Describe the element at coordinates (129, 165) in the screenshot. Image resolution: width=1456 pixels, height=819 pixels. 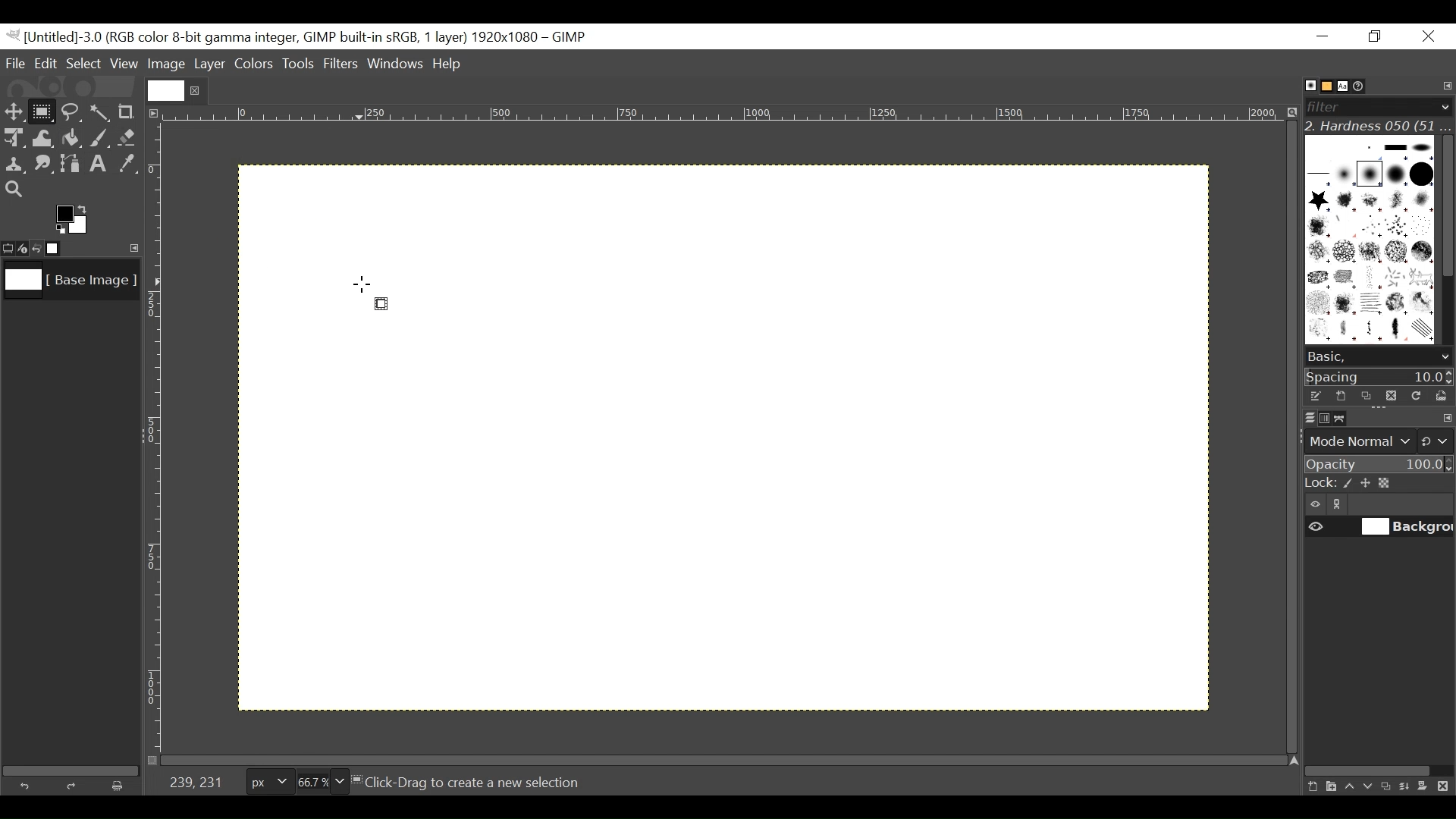
I see `Color picker tool` at that location.